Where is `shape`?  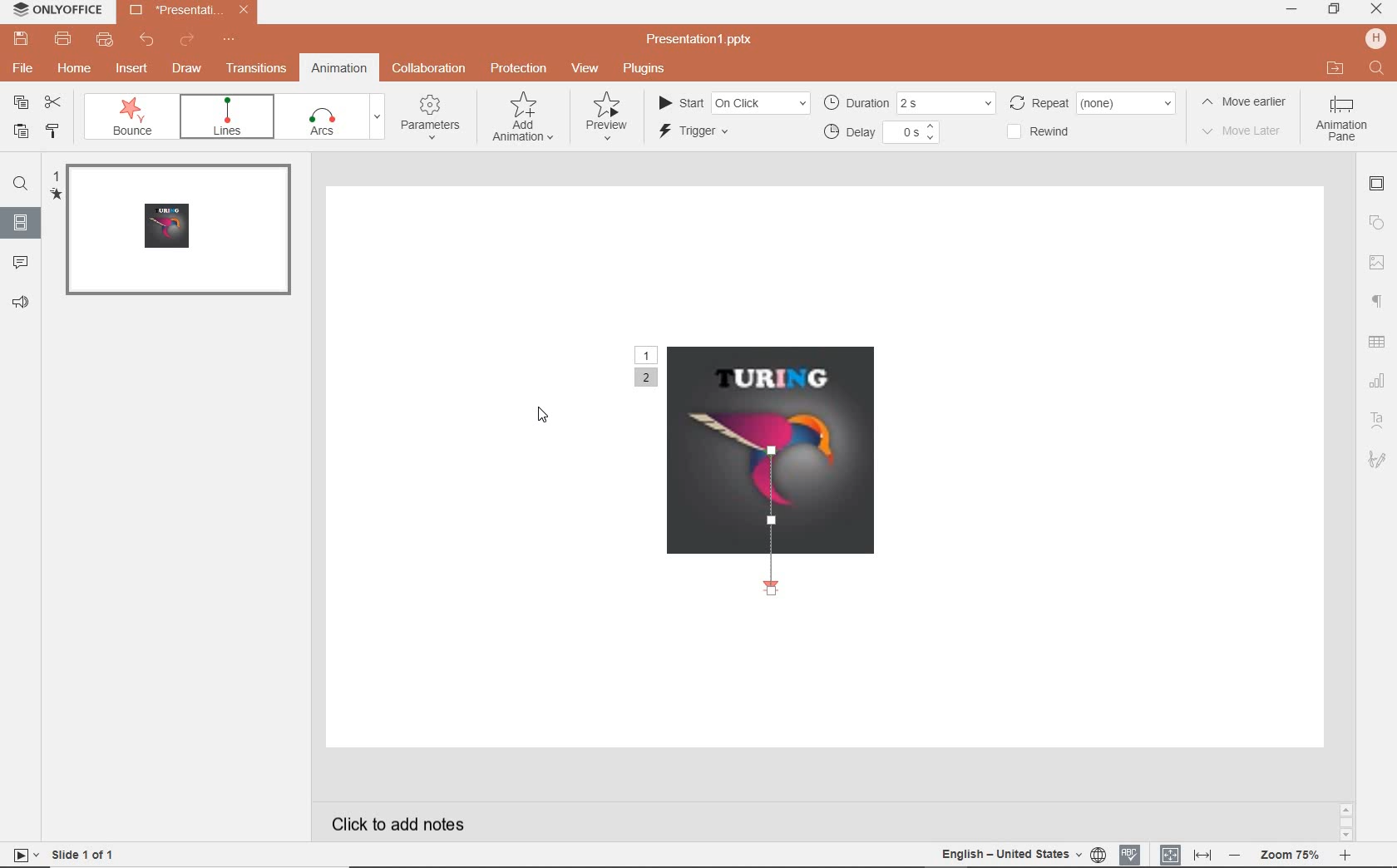 shape is located at coordinates (1377, 223).